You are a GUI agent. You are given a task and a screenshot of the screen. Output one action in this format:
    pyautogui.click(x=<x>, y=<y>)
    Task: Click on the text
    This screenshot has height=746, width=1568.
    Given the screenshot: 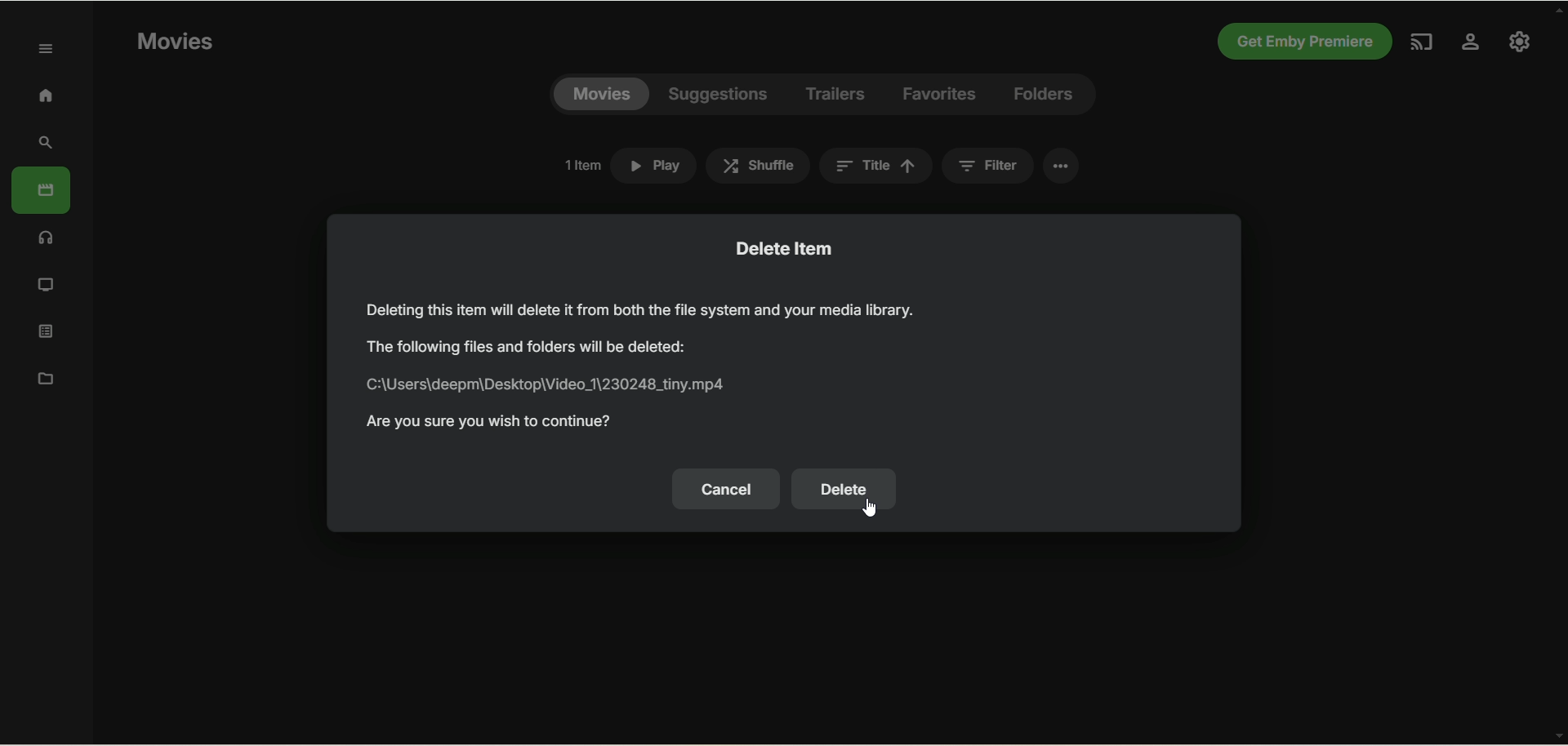 What is the action you would take?
    pyautogui.click(x=648, y=365)
    